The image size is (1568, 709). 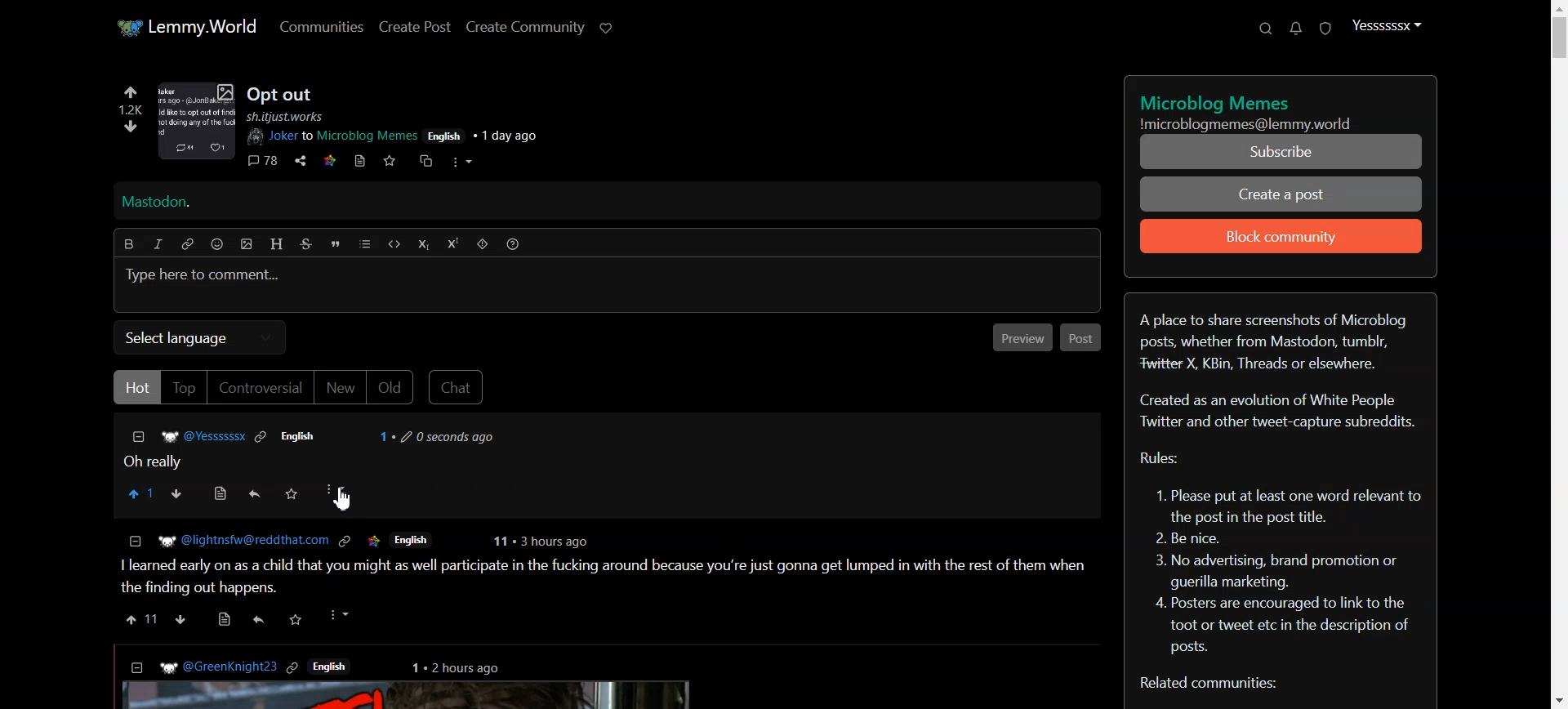 What do you see at coordinates (621, 203) in the screenshot?
I see `Mastodon Hyperlink ` at bounding box center [621, 203].